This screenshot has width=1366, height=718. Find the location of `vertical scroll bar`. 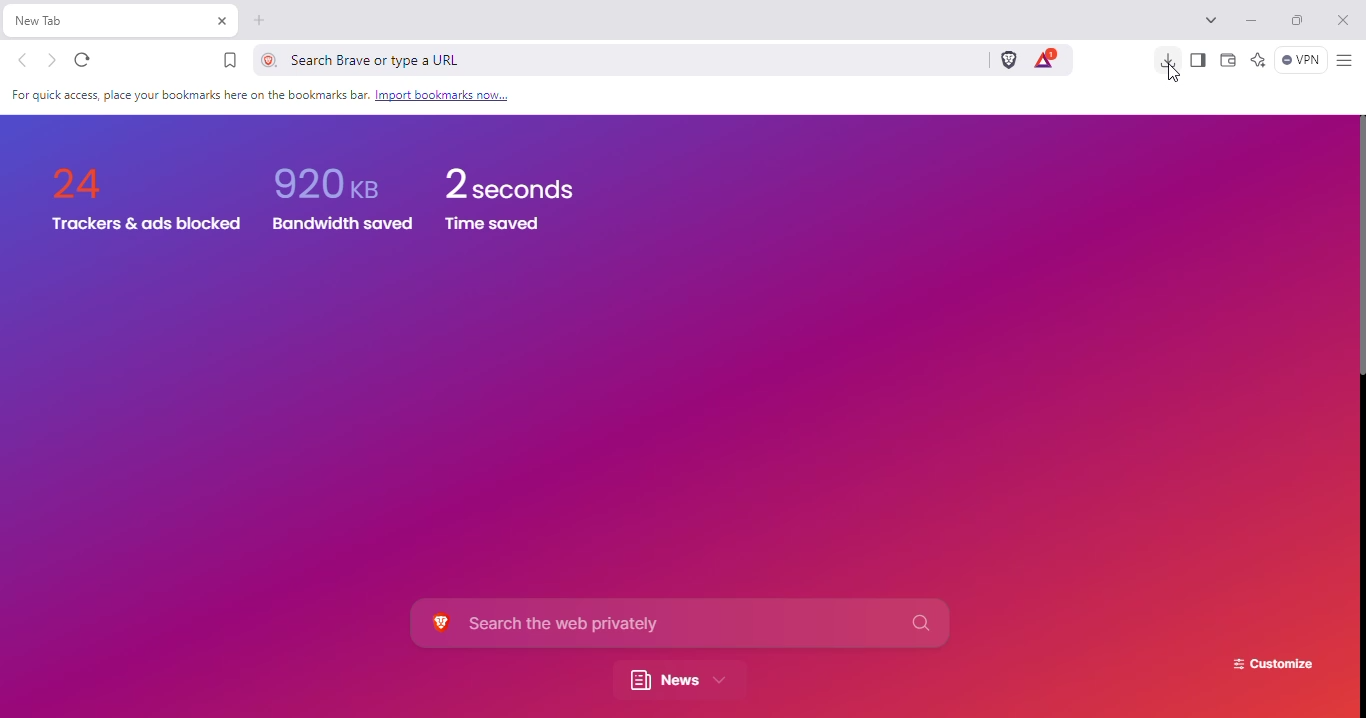

vertical scroll bar is located at coordinates (1363, 249).